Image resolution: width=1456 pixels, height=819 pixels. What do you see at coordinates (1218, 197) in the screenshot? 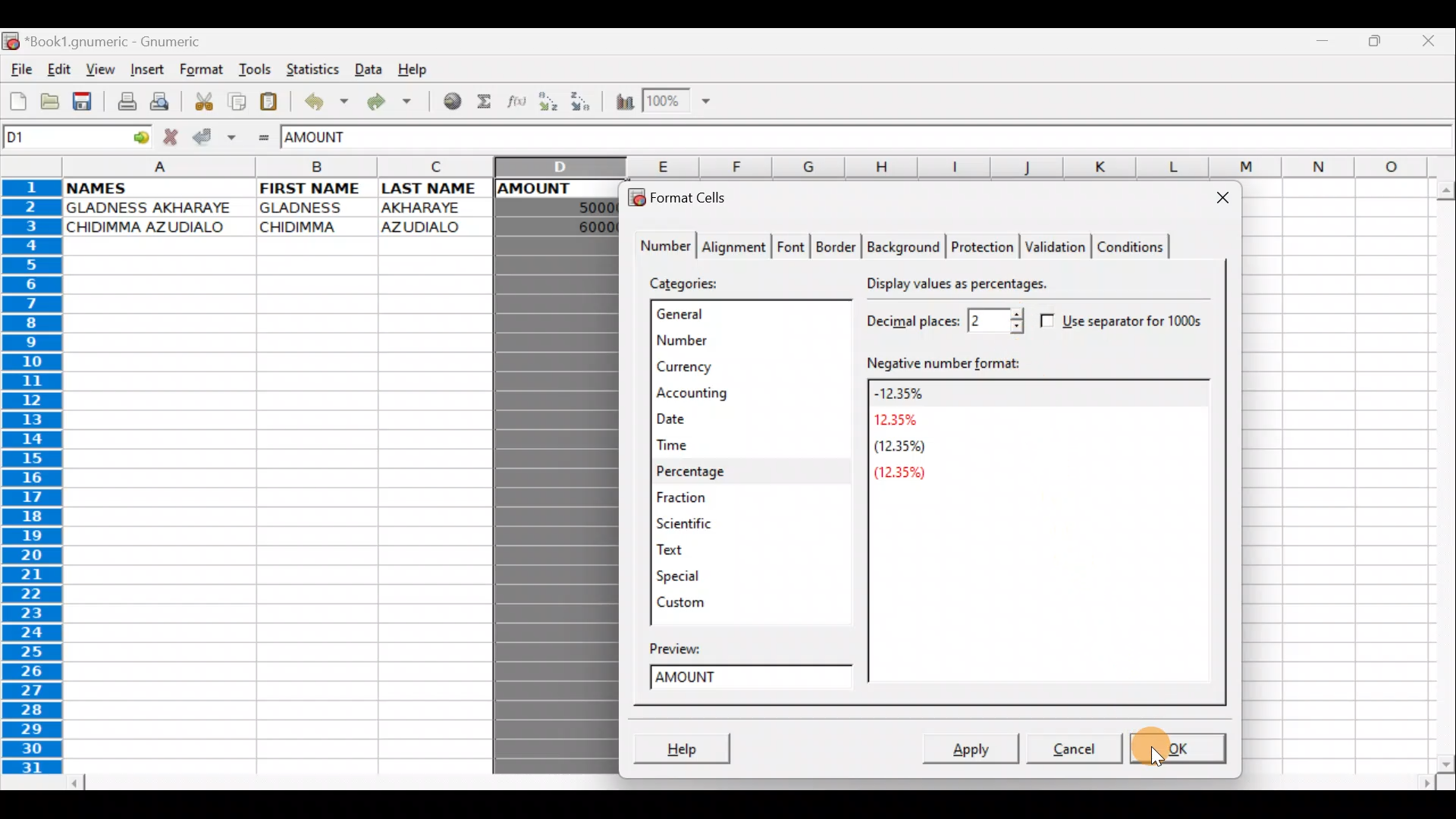
I see `Close` at bounding box center [1218, 197].